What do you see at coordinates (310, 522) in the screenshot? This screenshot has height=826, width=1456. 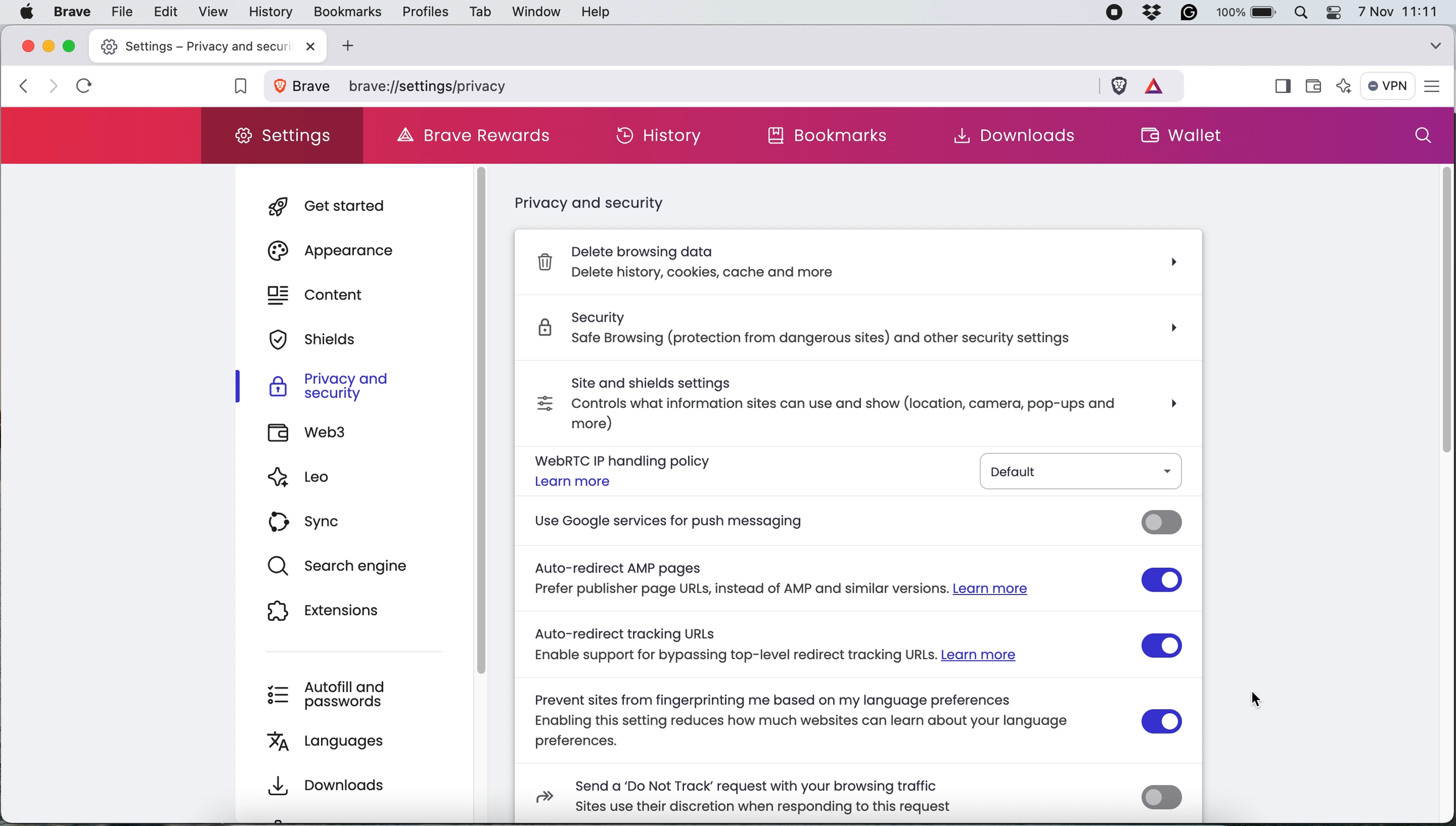 I see `sync` at bounding box center [310, 522].